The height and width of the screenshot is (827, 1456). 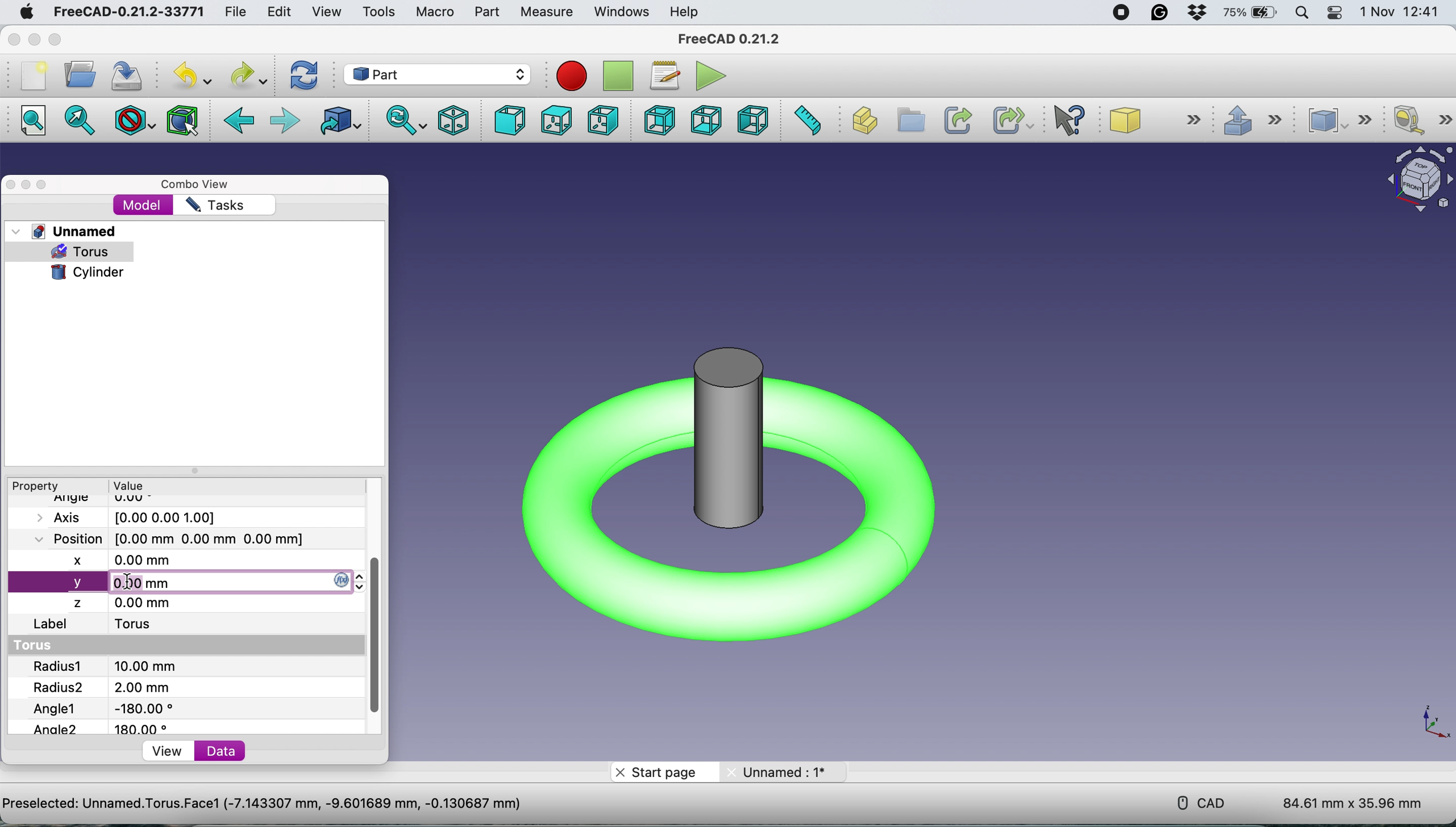 What do you see at coordinates (215, 206) in the screenshot?
I see `tasks` at bounding box center [215, 206].